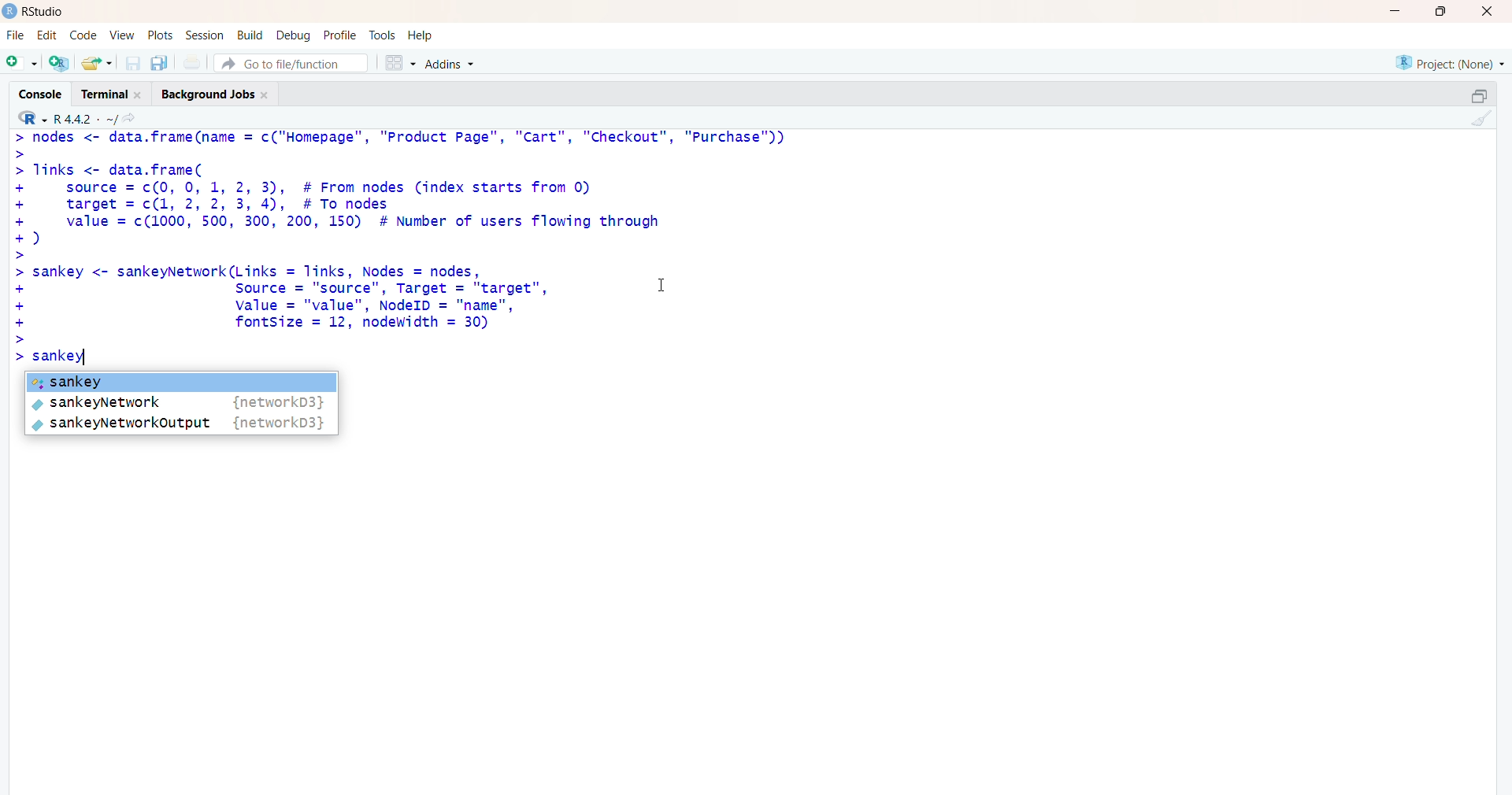  Describe the element at coordinates (156, 33) in the screenshot. I see `plots` at that location.